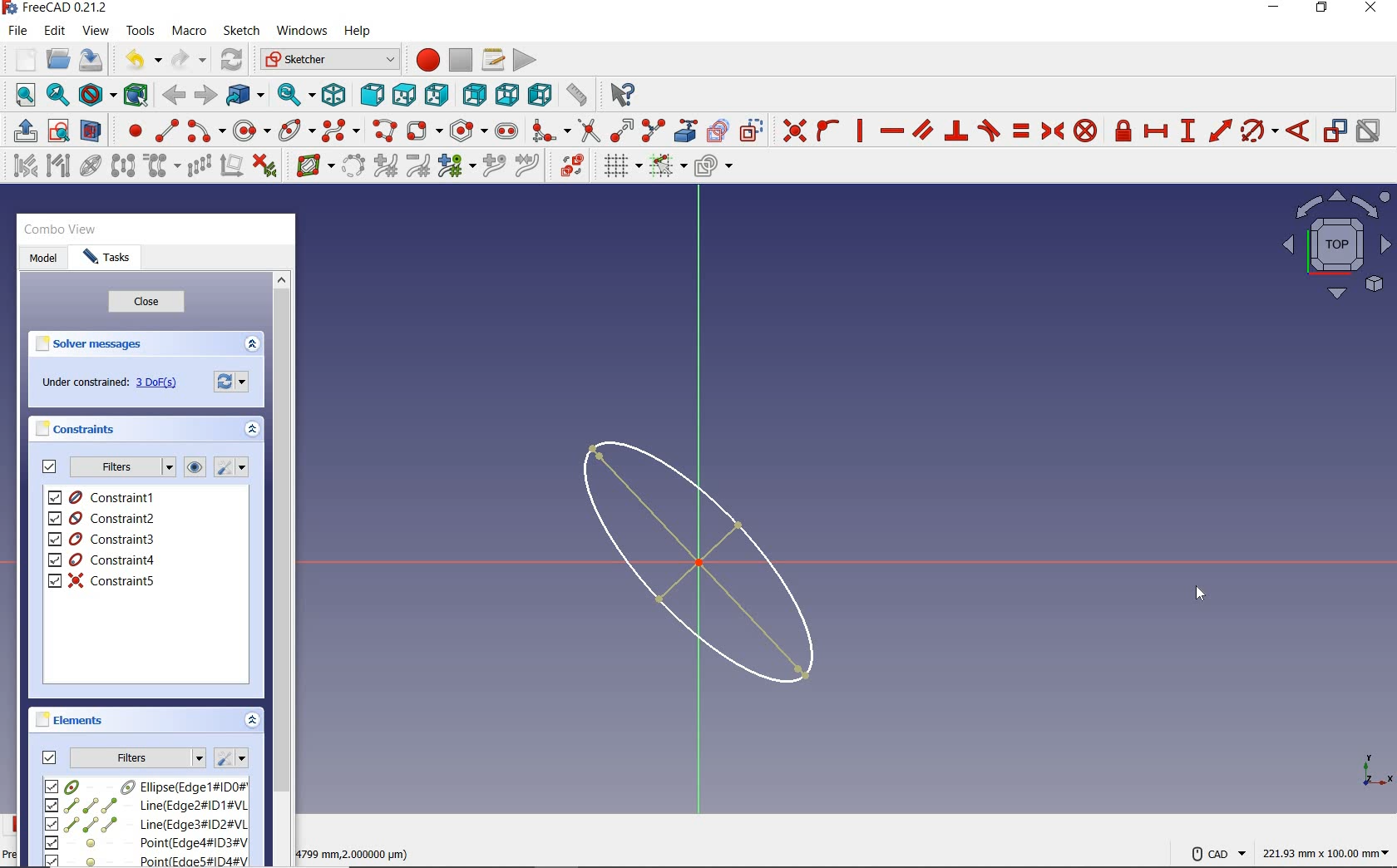 The height and width of the screenshot is (868, 1397). I want to click on constrain perpendicular, so click(957, 131).